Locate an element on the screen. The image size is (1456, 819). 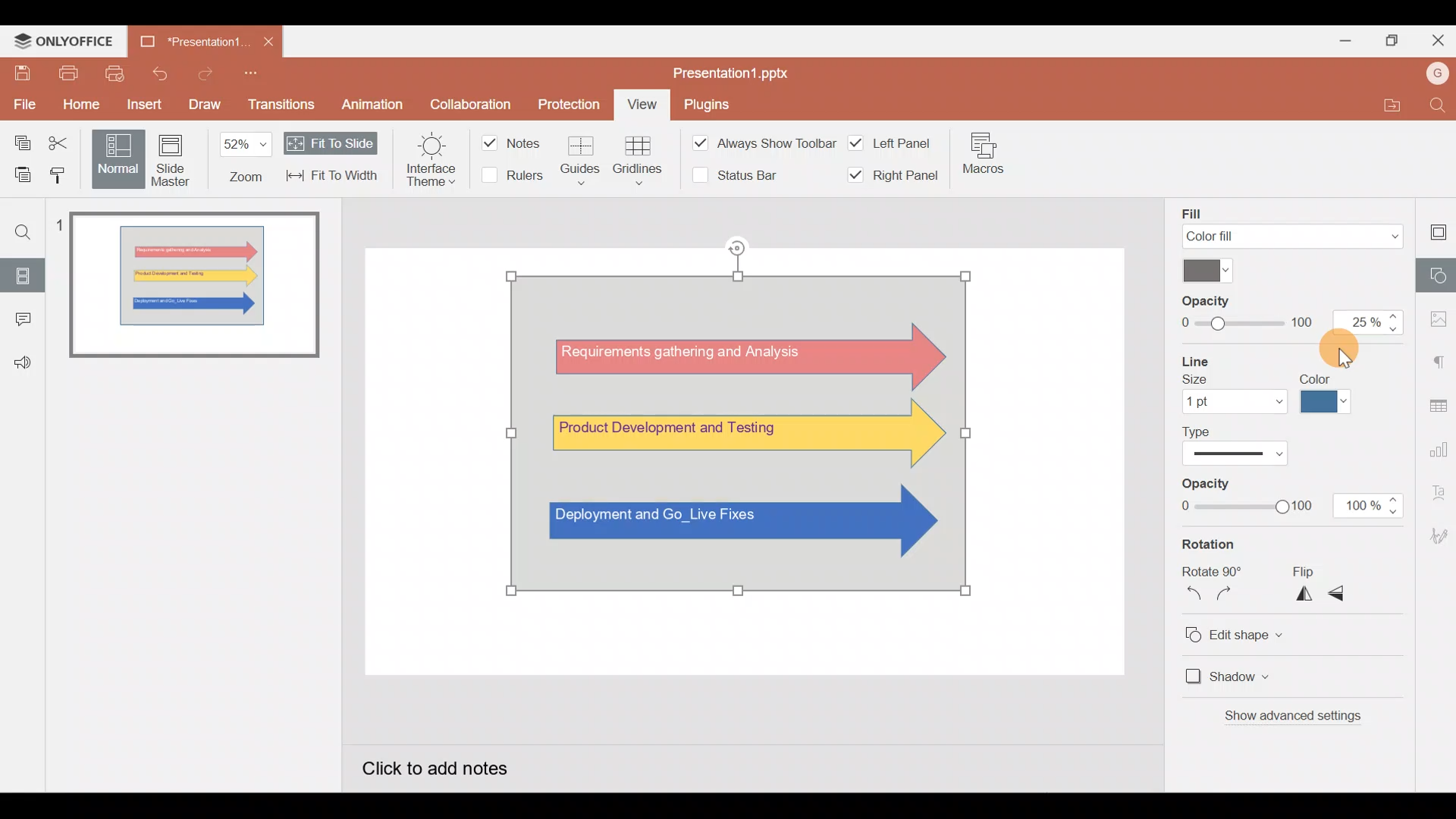
Opacity level slider is located at coordinates (1238, 312).